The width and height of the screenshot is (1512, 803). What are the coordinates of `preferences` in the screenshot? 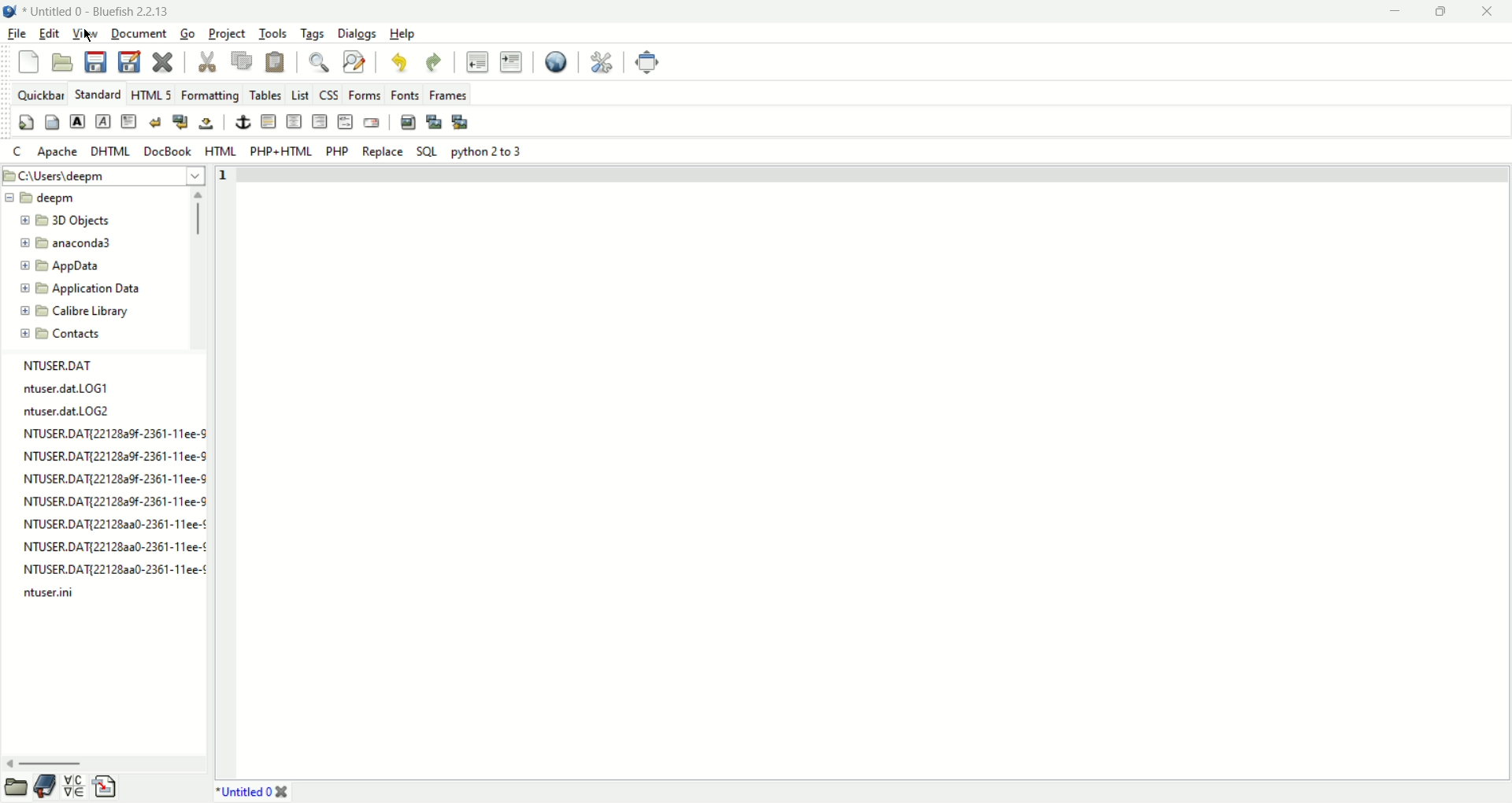 It's located at (600, 62).